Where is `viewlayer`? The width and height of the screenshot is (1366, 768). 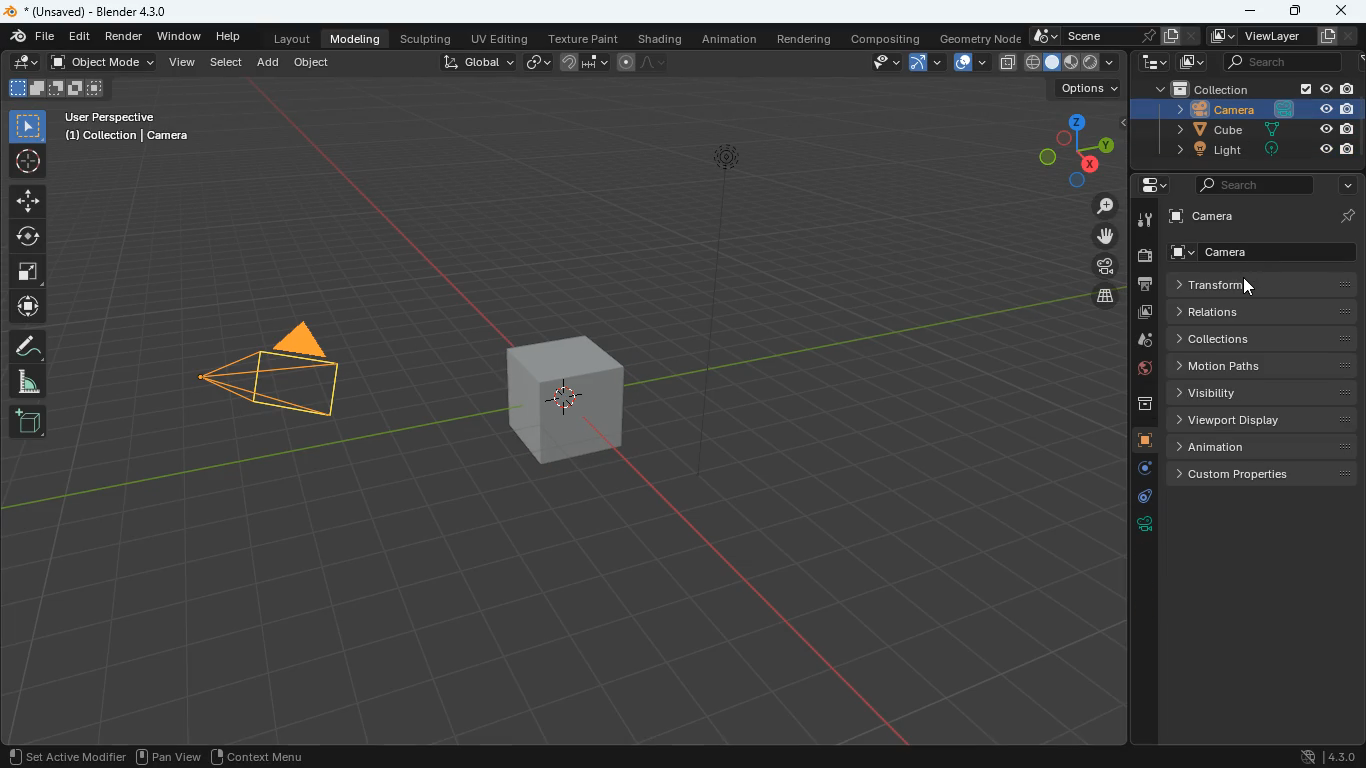
viewlayer is located at coordinates (1280, 36).